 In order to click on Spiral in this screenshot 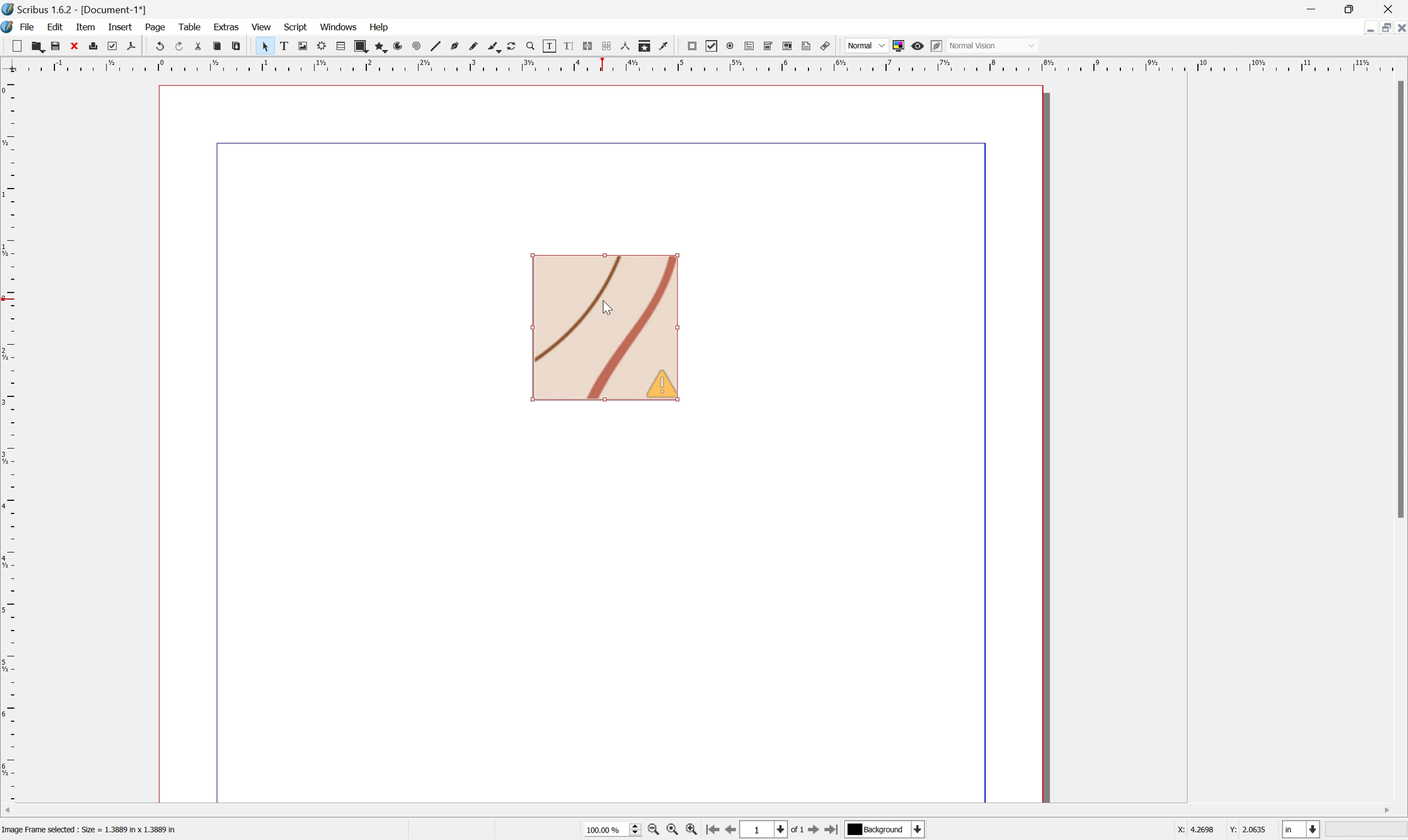, I will do `click(421, 47)`.